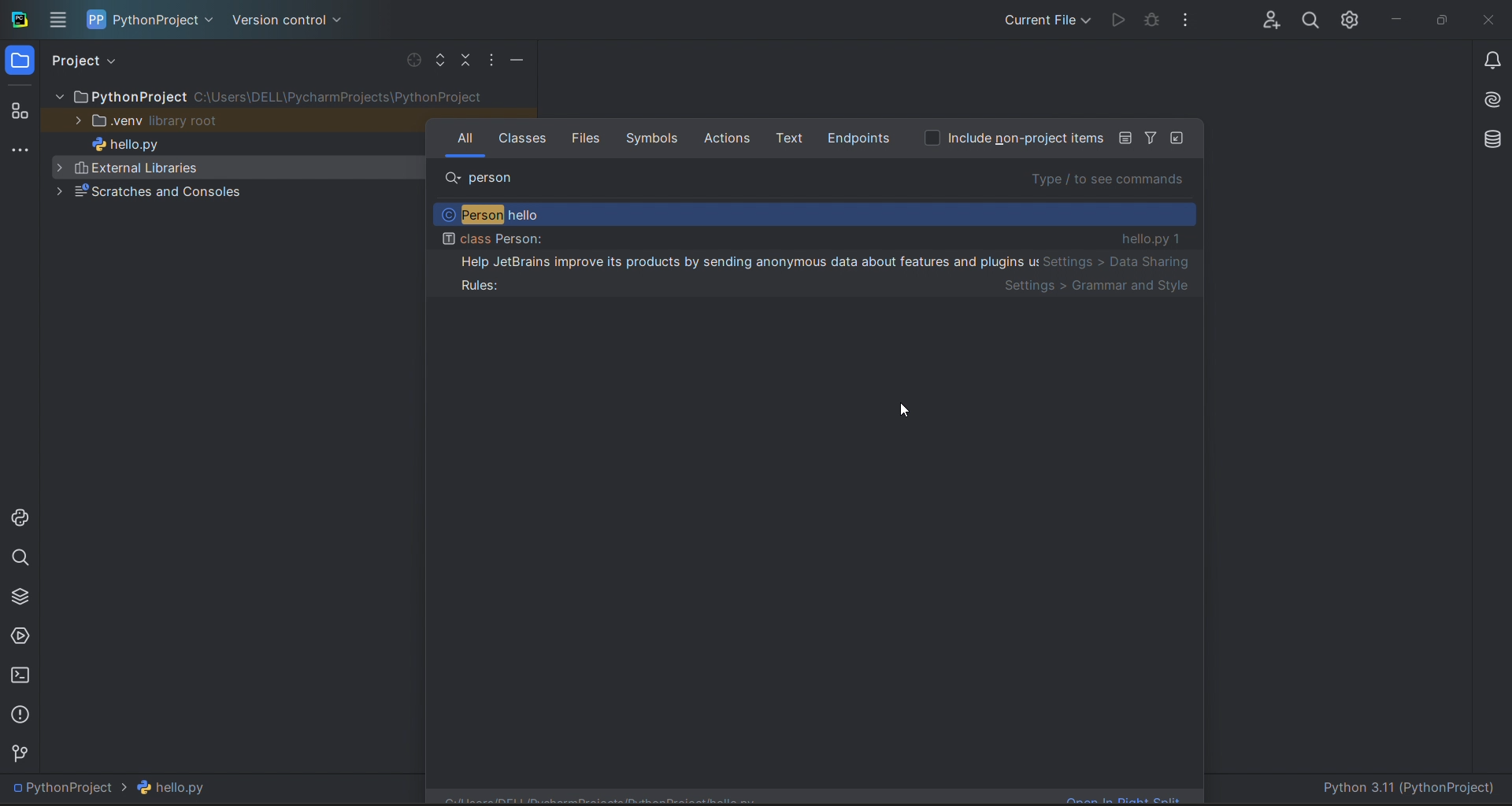 Image resolution: width=1512 pixels, height=806 pixels. Describe the element at coordinates (56, 20) in the screenshot. I see `menu` at that location.